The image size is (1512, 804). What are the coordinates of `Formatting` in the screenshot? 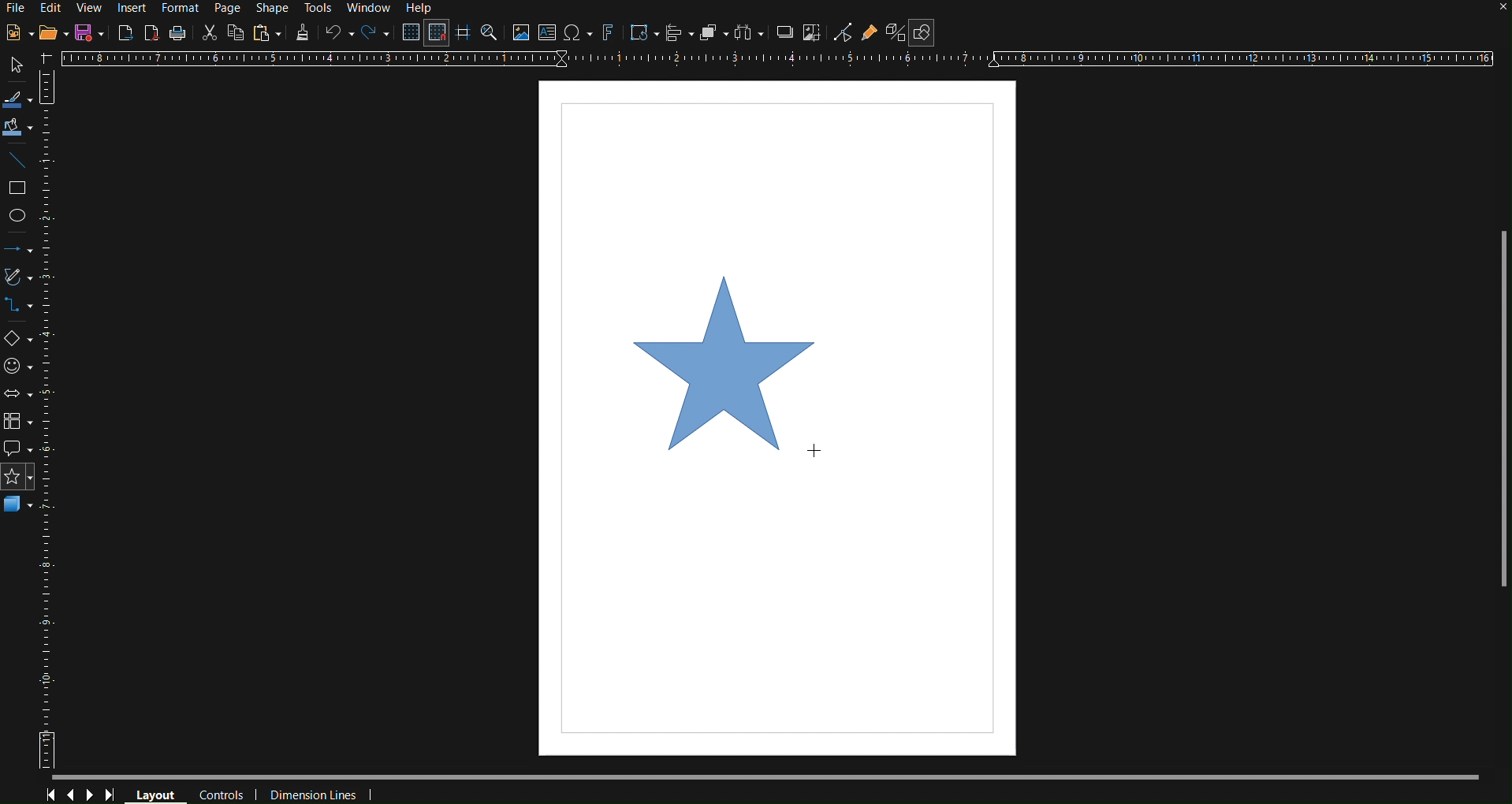 It's located at (300, 33).